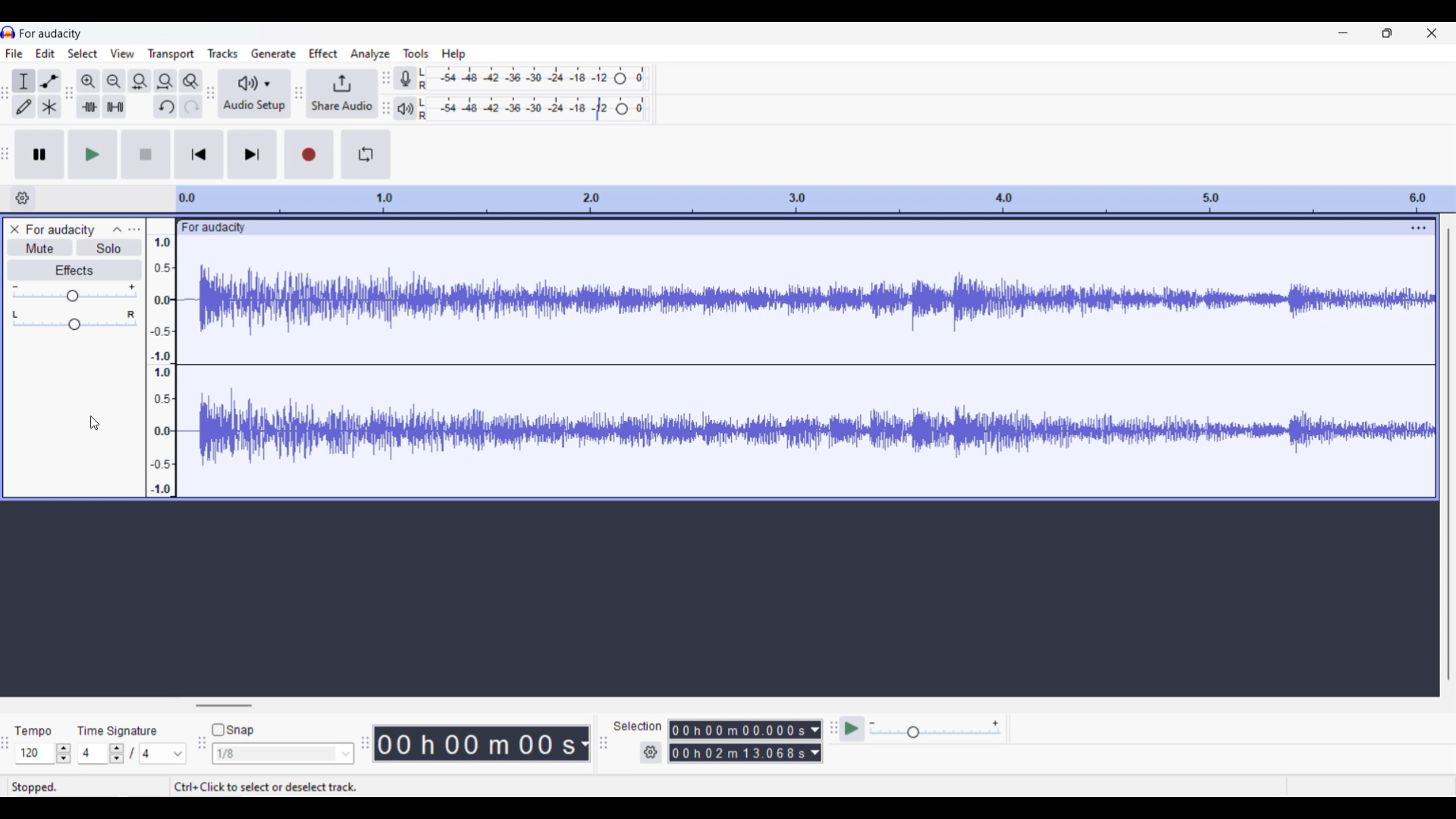  I want to click on Duration measurement, so click(583, 744).